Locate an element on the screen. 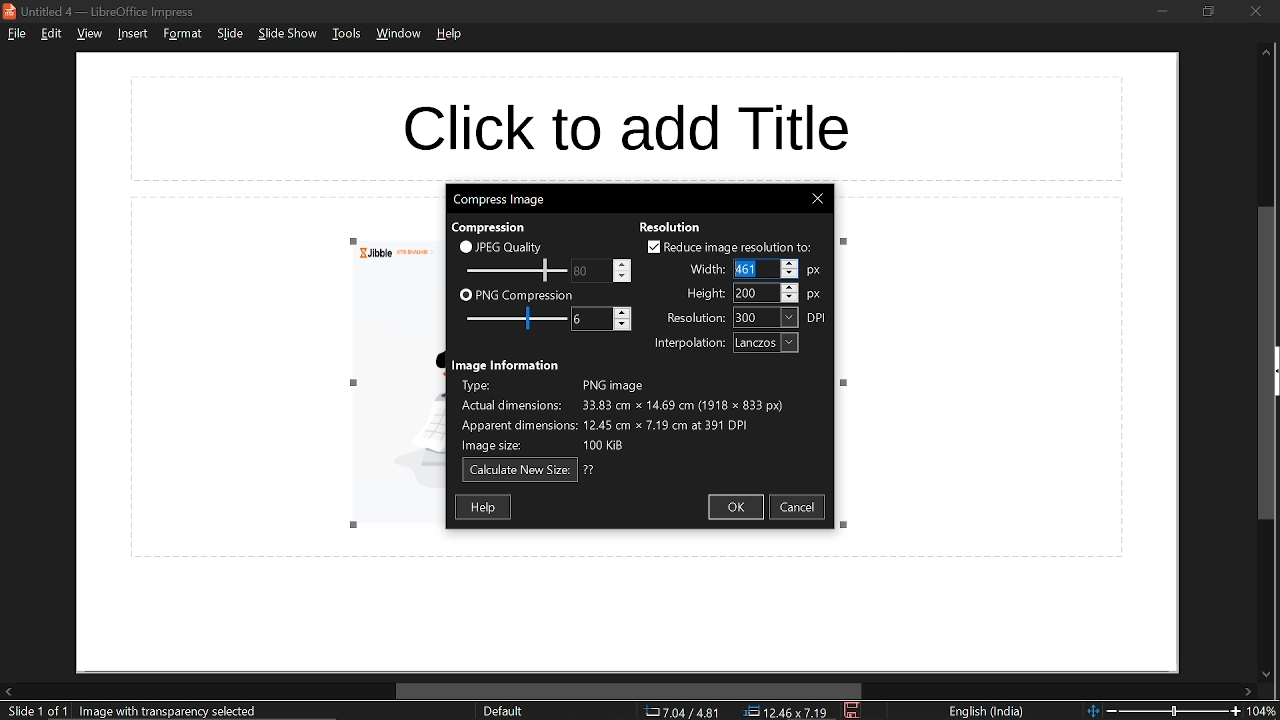 The width and height of the screenshot is (1280, 720). close is located at coordinates (819, 199).